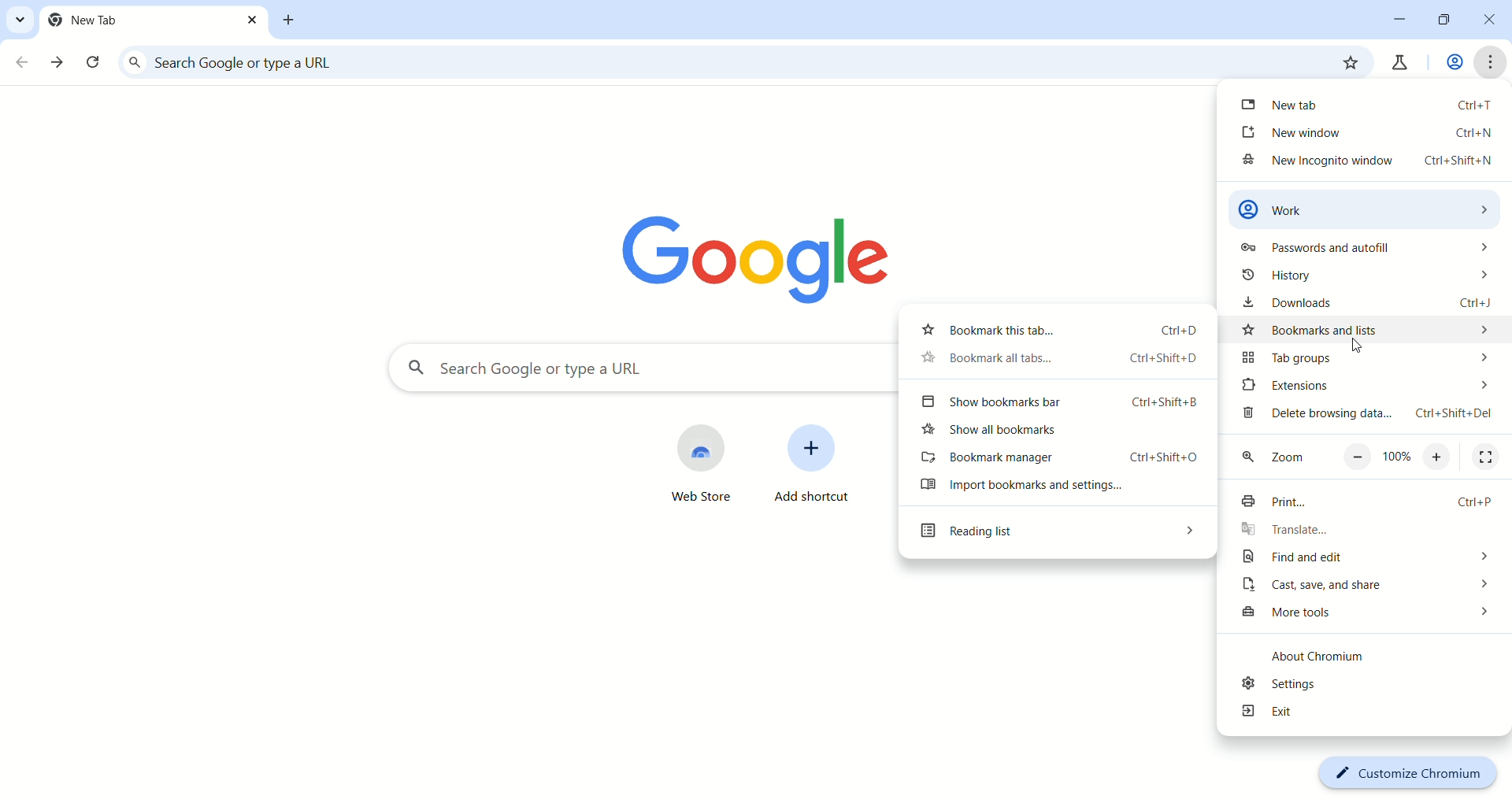 The height and width of the screenshot is (803, 1512). I want to click on go back, so click(23, 63).